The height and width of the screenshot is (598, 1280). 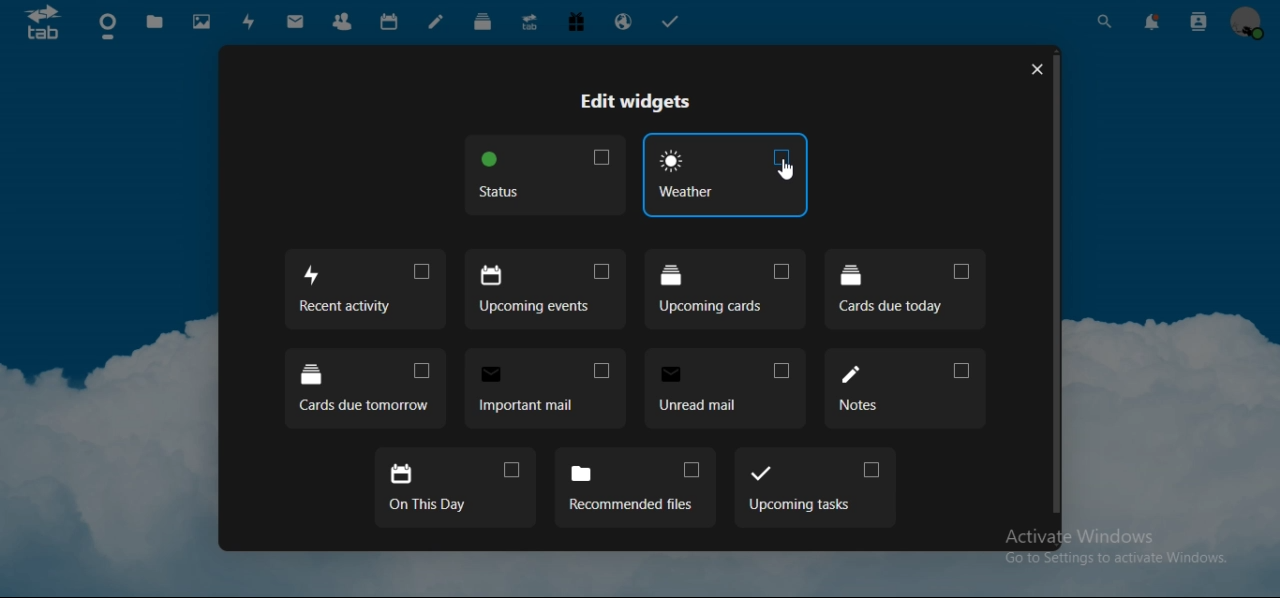 What do you see at coordinates (1035, 68) in the screenshot?
I see `close` at bounding box center [1035, 68].